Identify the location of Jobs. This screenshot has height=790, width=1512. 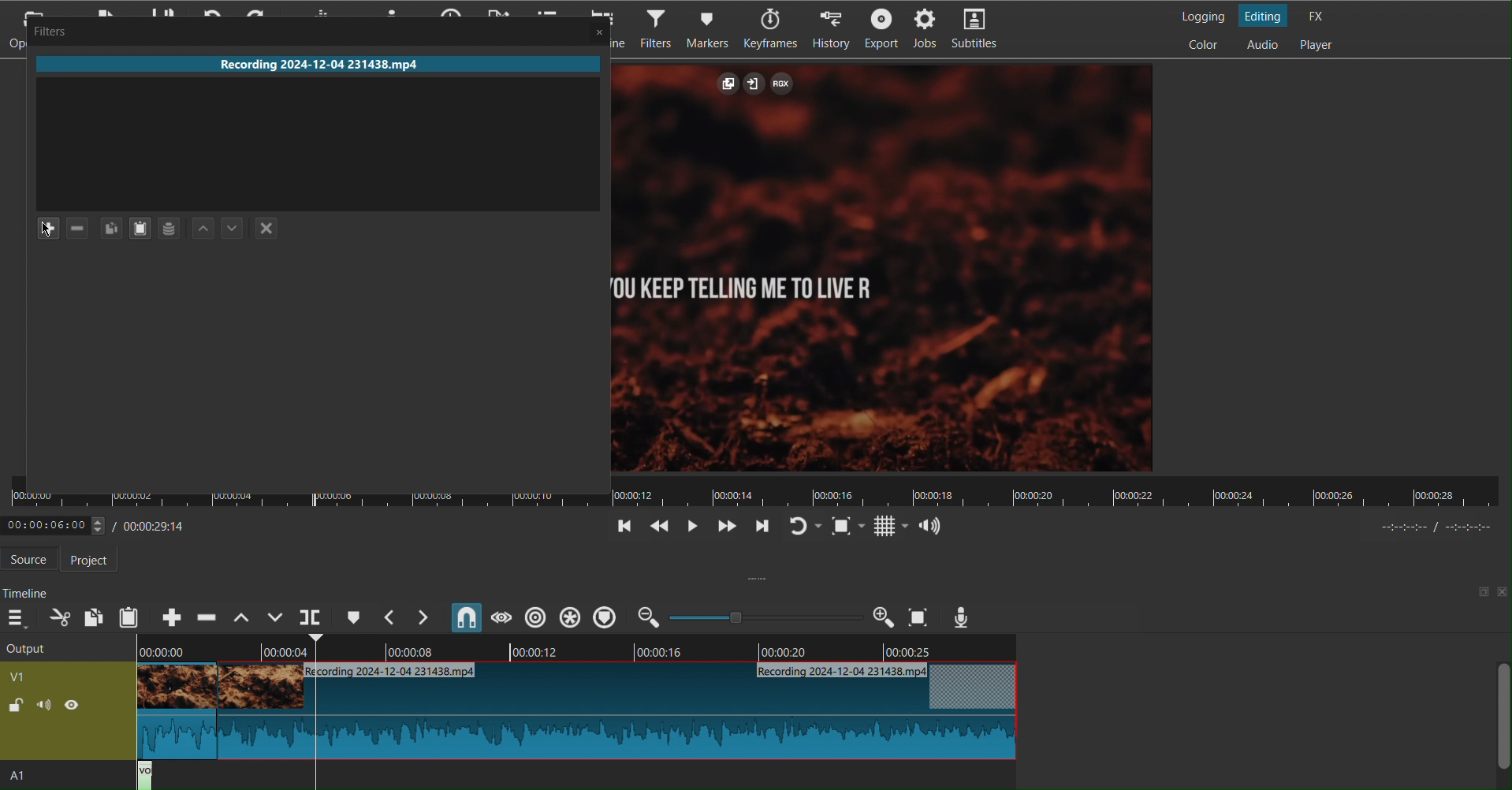
(931, 30).